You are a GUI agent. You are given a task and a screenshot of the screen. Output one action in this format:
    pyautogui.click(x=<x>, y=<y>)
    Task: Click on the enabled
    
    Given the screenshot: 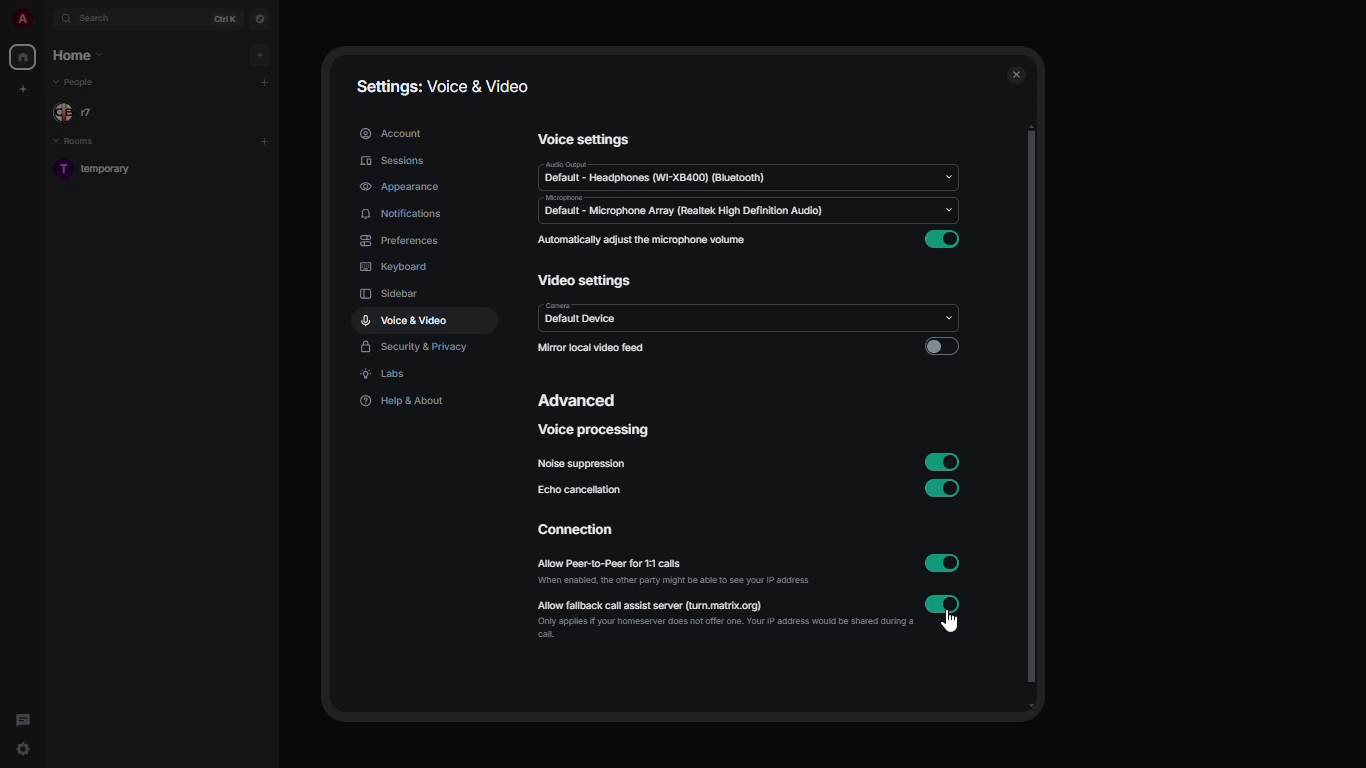 What is the action you would take?
    pyautogui.click(x=941, y=487)
    